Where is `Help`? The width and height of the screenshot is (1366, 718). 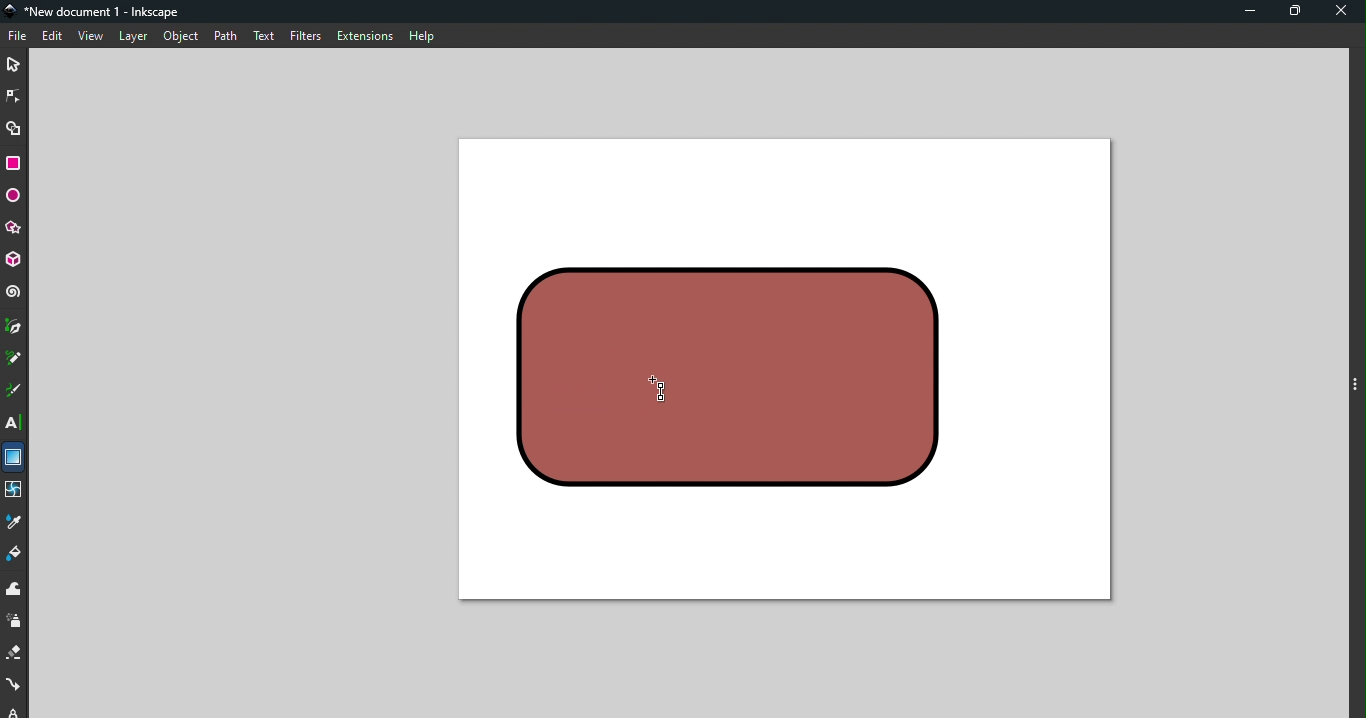 Help is located at coordinates (421, 33).